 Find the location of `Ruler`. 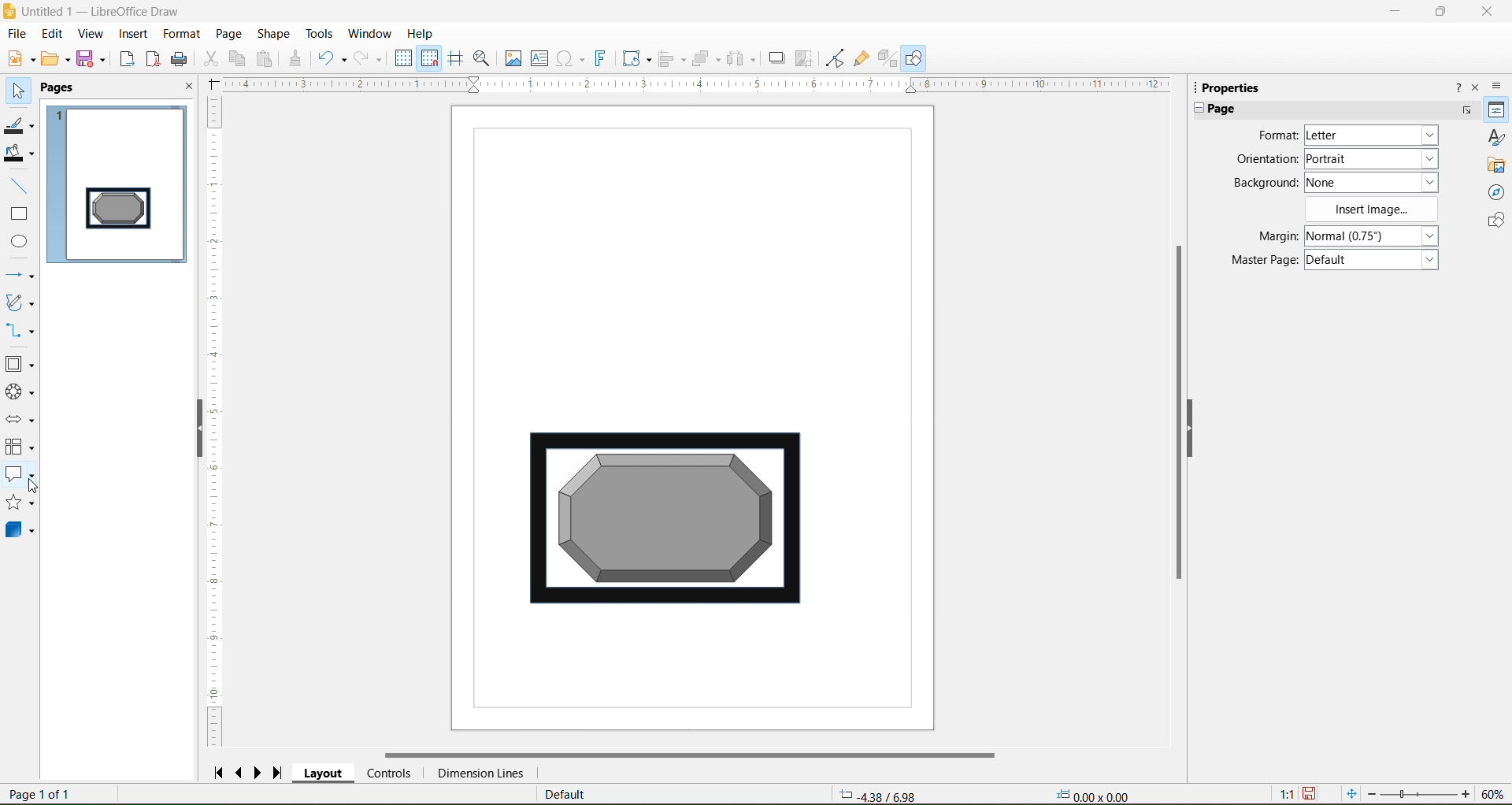

Ruler is located at coordinates (696, 85).